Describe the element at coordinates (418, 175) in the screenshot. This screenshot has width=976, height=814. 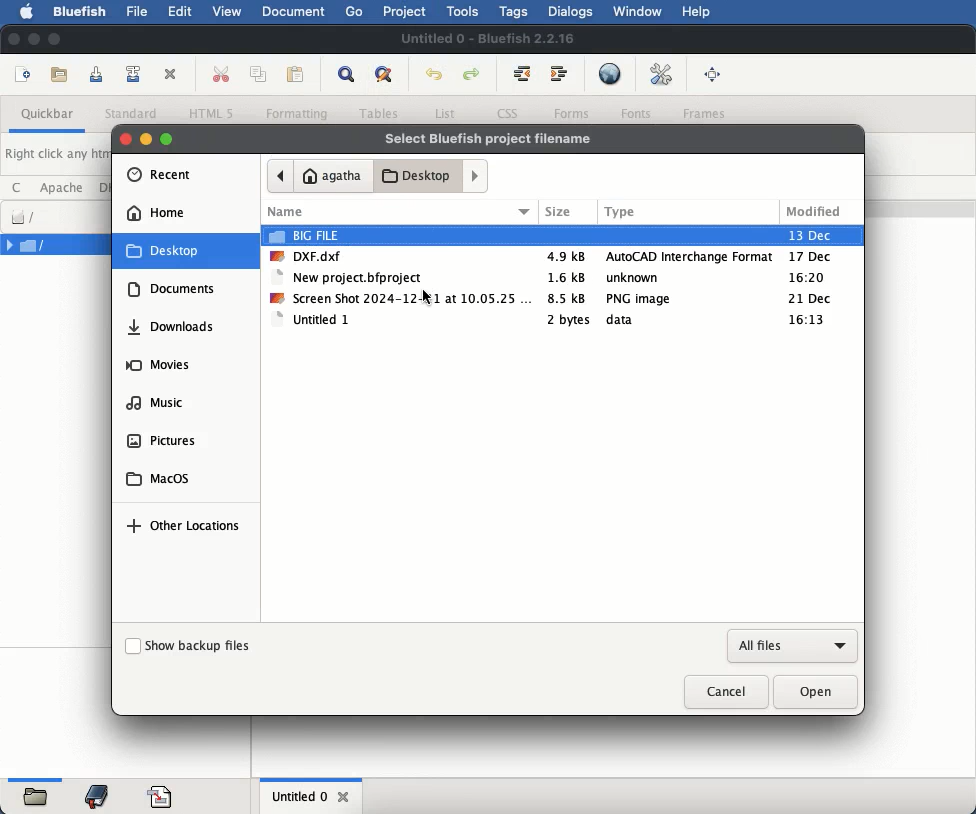
I see `desktop` at that location.